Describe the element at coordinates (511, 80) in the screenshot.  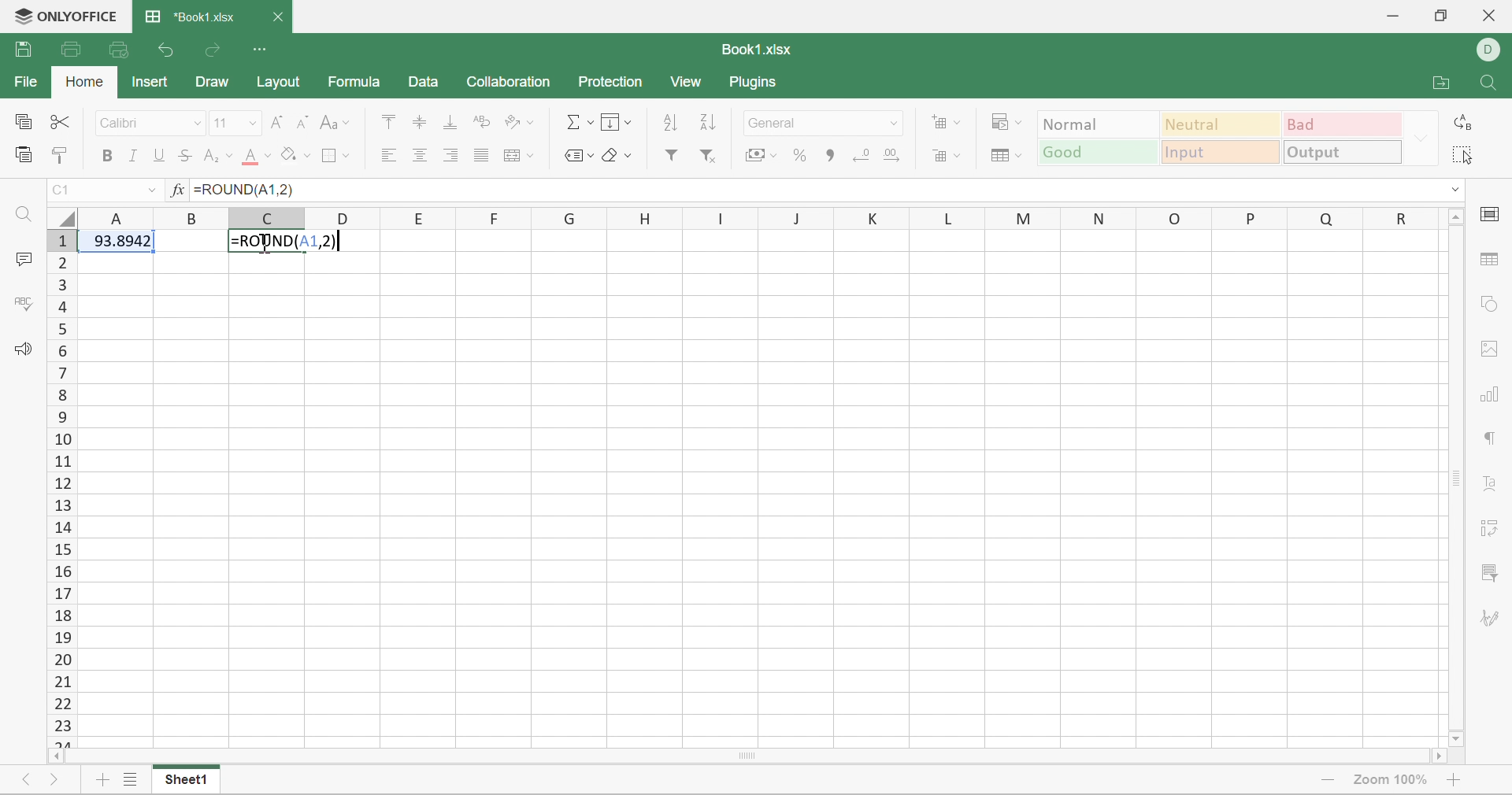
I see `Collaboration` at that location.